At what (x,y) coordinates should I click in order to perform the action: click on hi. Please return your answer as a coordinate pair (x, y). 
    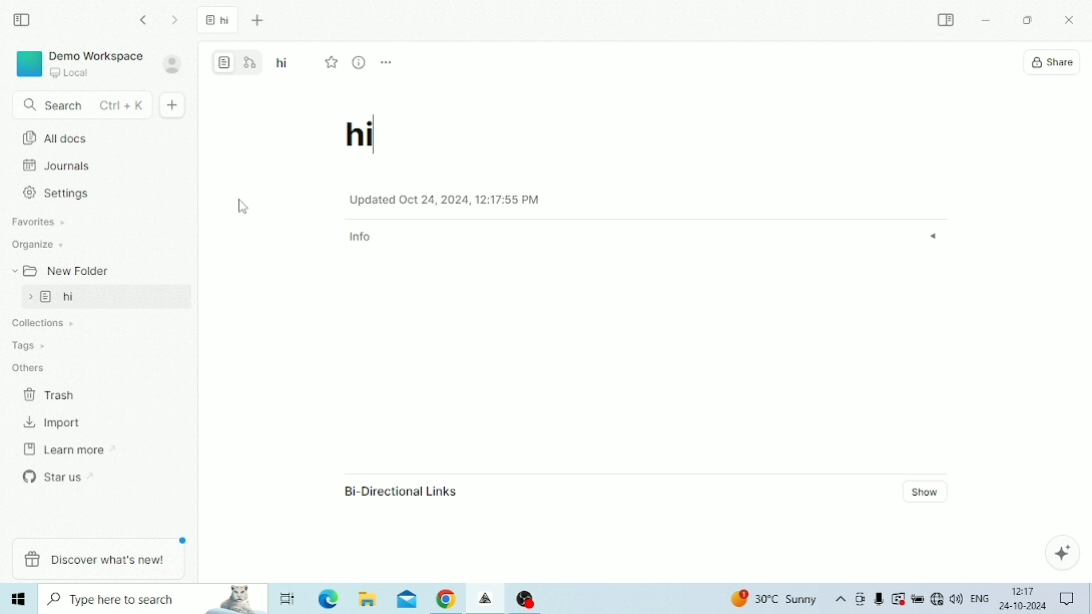
    Looking at the image, I should click on (362, 138).